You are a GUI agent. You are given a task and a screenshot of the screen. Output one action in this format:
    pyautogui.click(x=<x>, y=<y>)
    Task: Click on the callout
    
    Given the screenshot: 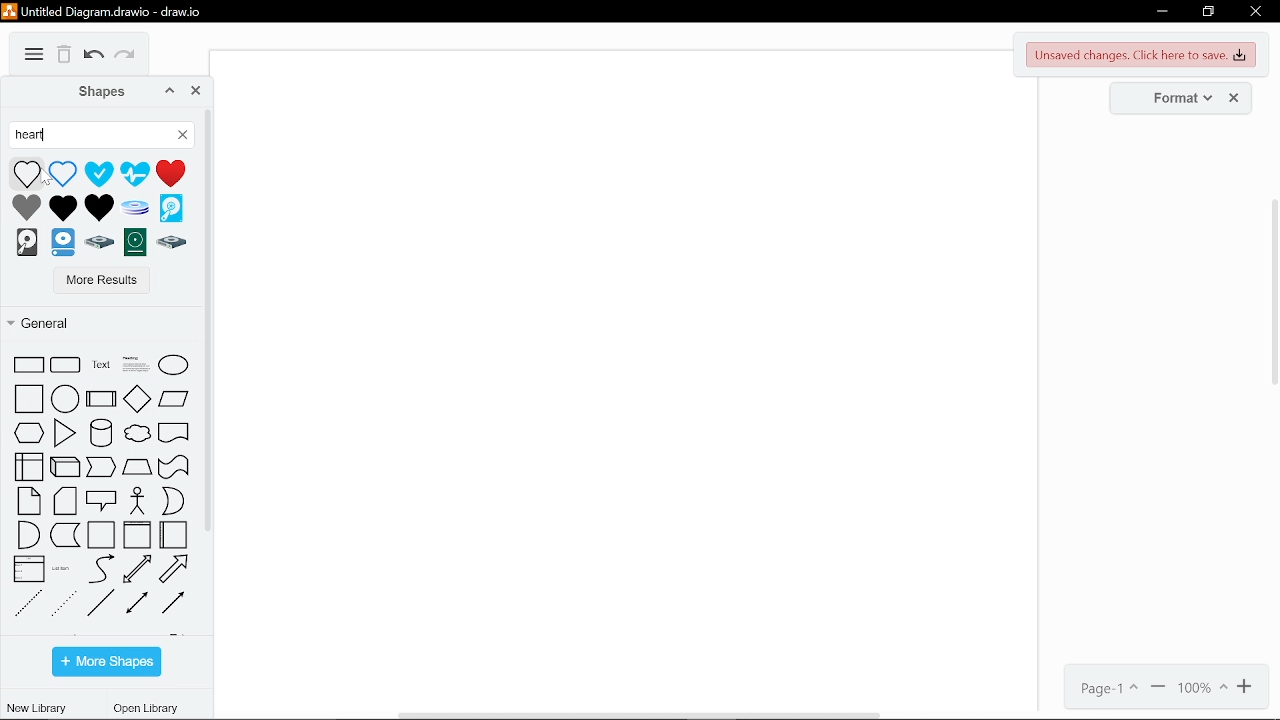 What is the action you would take?
    pyautogui.click(x=102, y=502)
    